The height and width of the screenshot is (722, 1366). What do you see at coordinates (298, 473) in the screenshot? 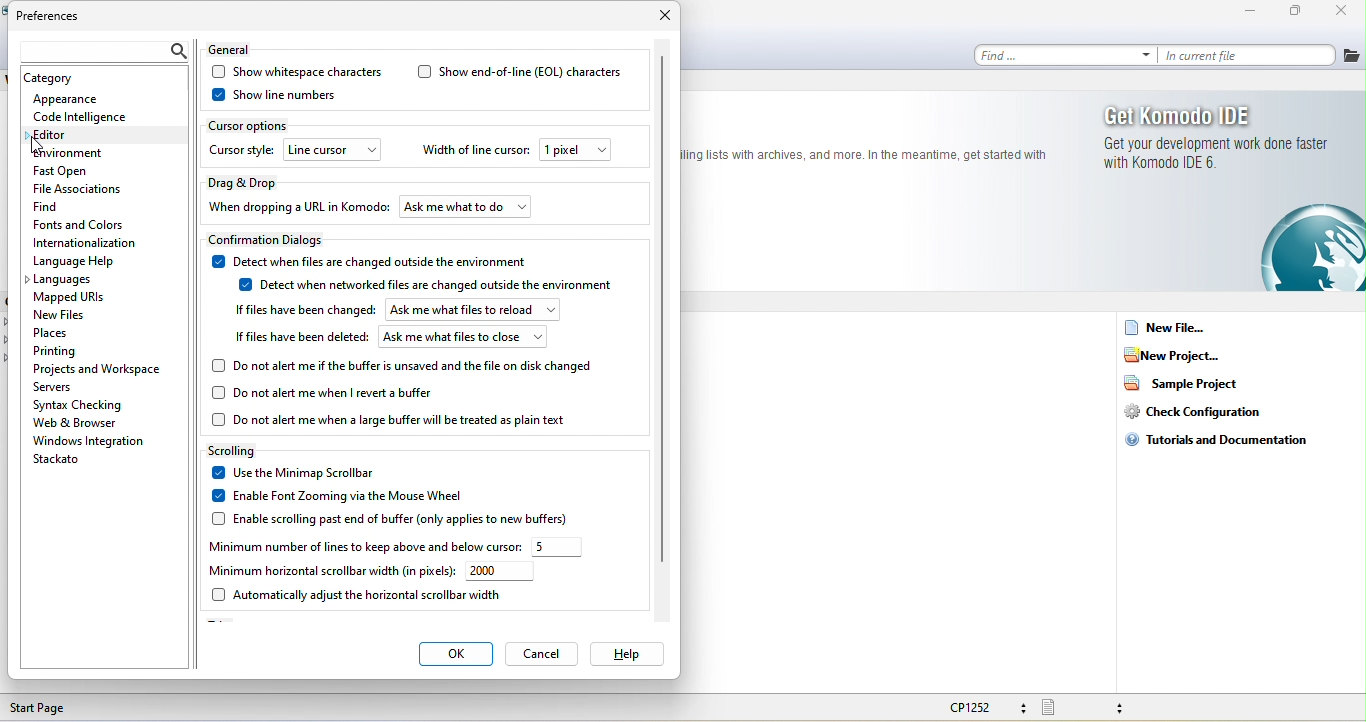
I see `use the minimap scrollbar` at bounding box center [298, 473].